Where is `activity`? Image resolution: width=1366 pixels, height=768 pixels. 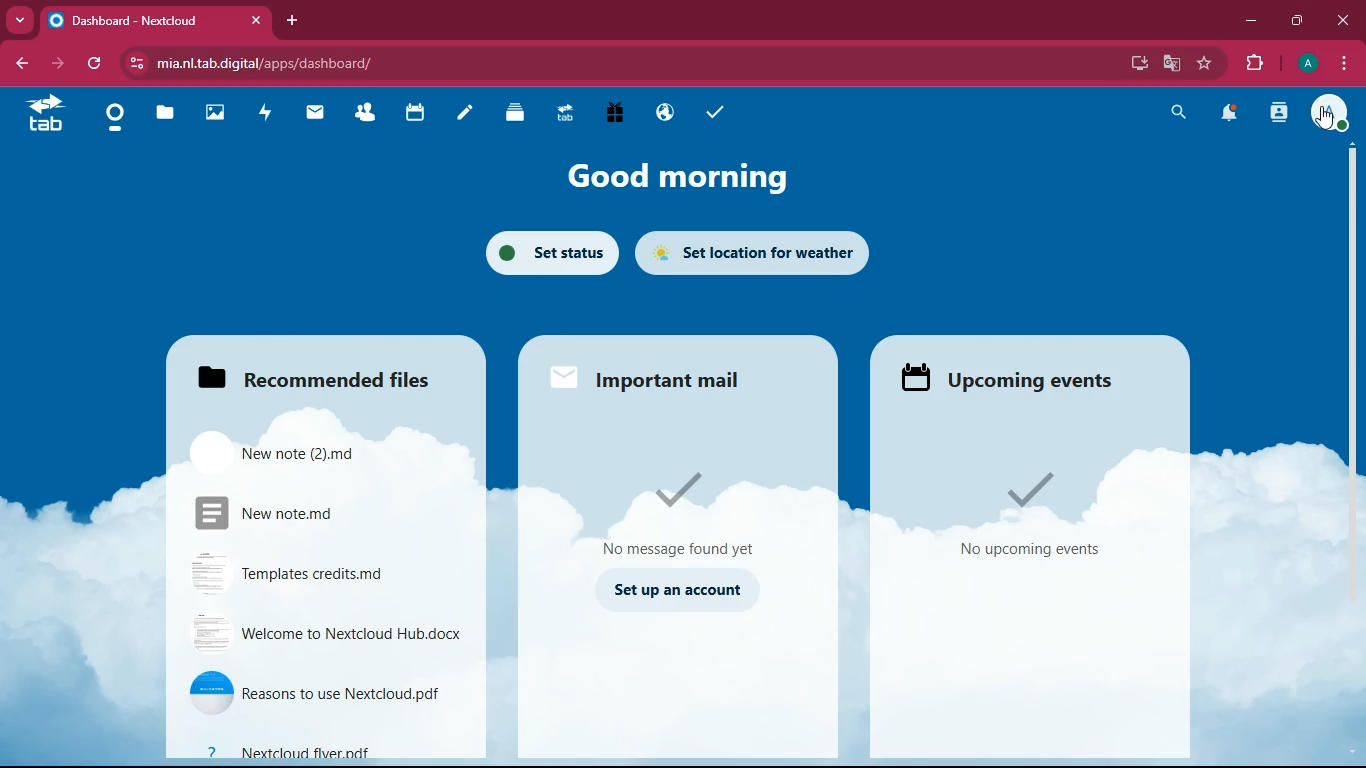
activity is located at coordinates (1281, 115).